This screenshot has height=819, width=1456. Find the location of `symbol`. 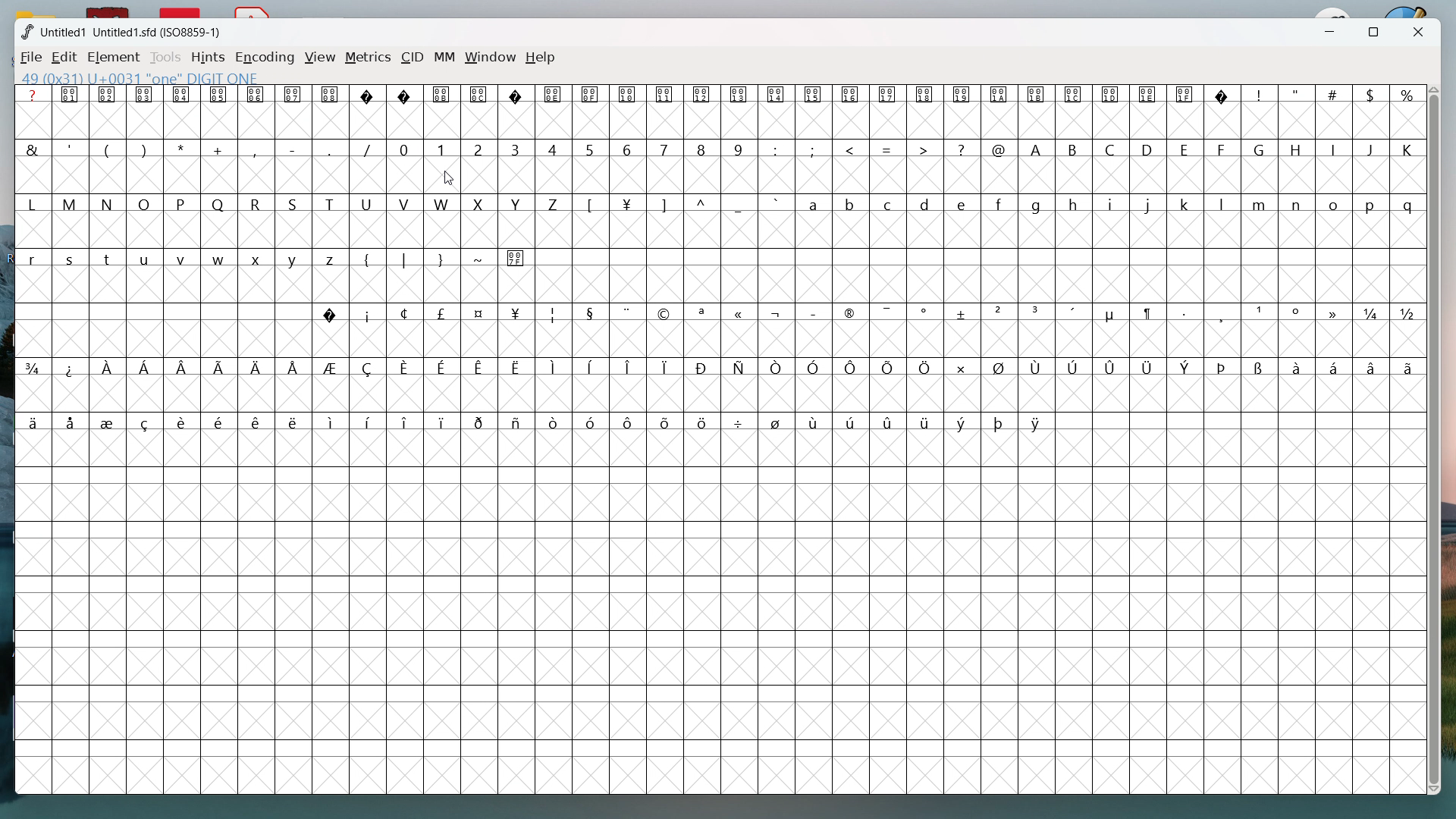

symbol is located at coordinates (258, 422).